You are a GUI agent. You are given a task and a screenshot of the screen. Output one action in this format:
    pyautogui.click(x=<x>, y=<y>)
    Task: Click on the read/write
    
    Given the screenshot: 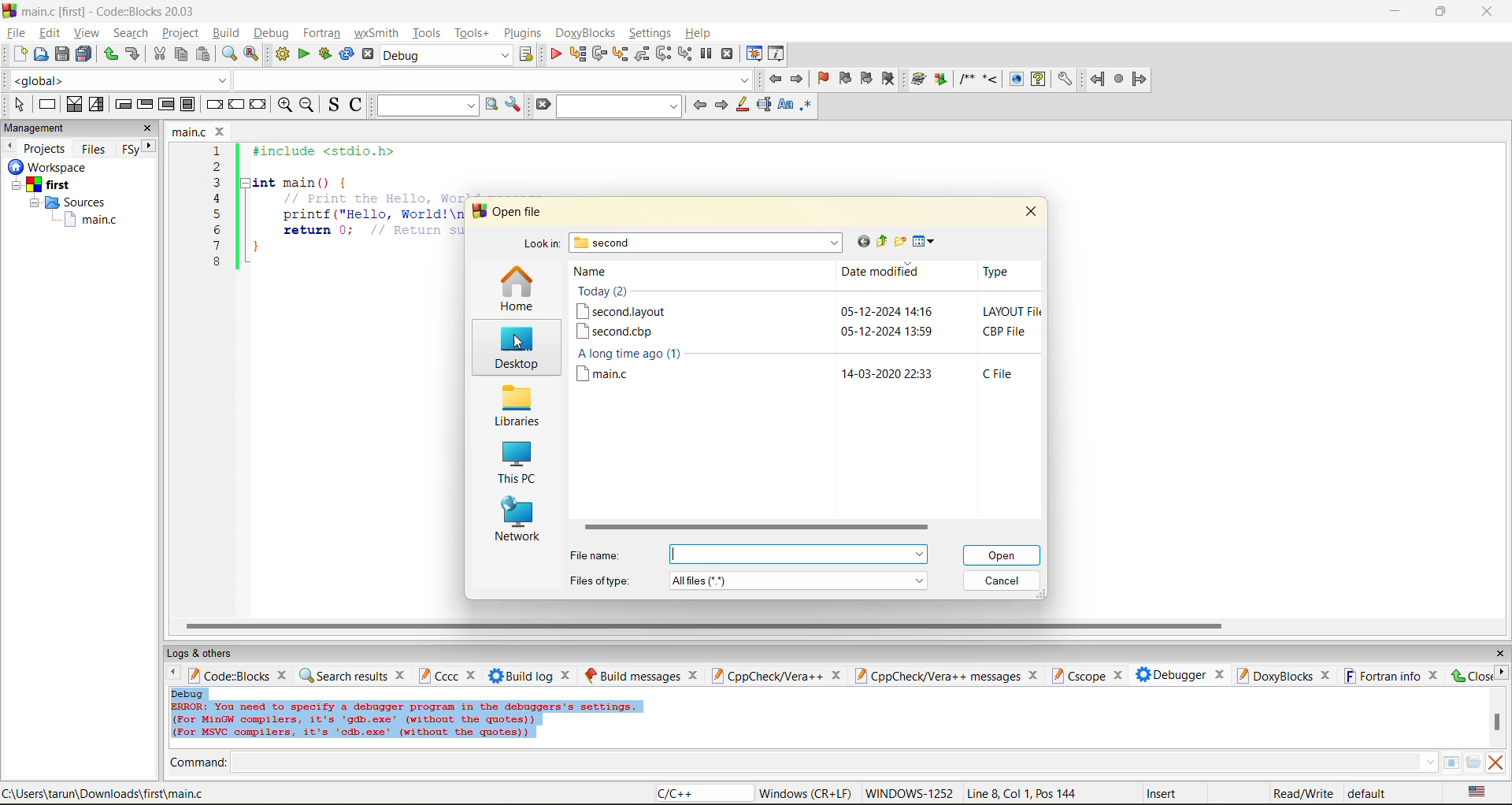 What is the action you would take?
    pyautogui.click(x=1303, y=793)
    